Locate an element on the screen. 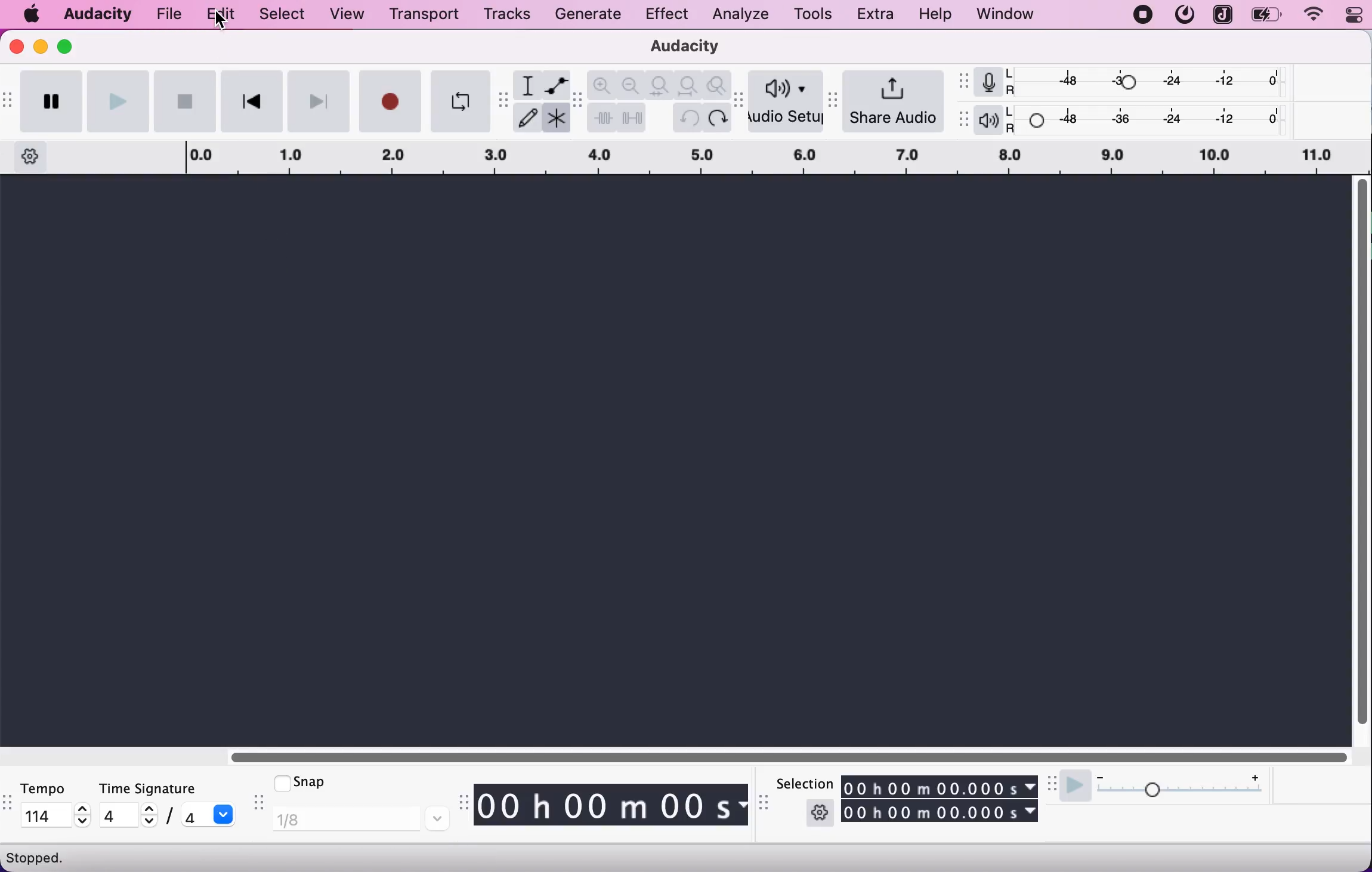  track timing is located at coordinates (941, 812).